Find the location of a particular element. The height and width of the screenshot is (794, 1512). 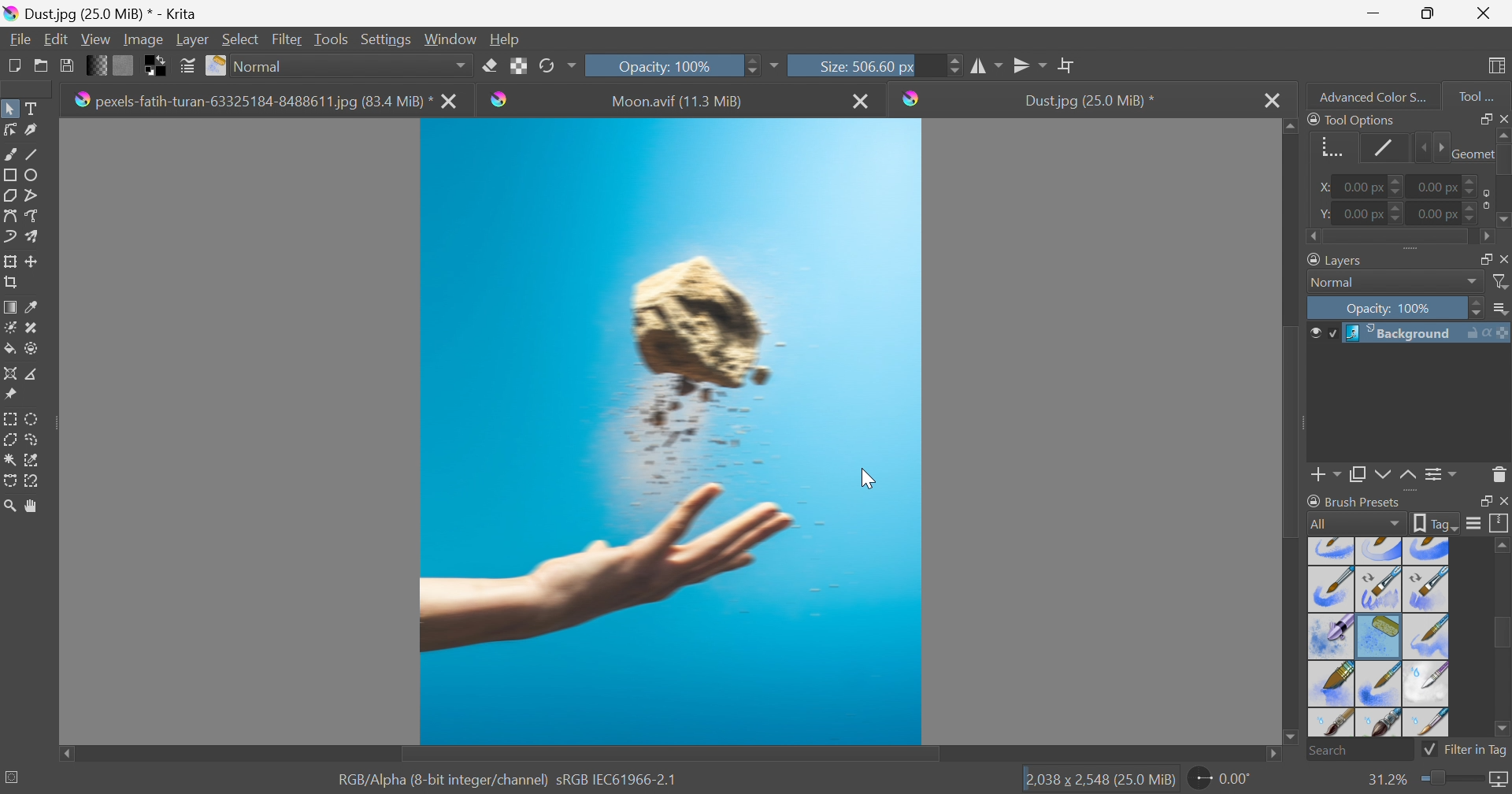

selection tool is located at coordinates (36, 458).